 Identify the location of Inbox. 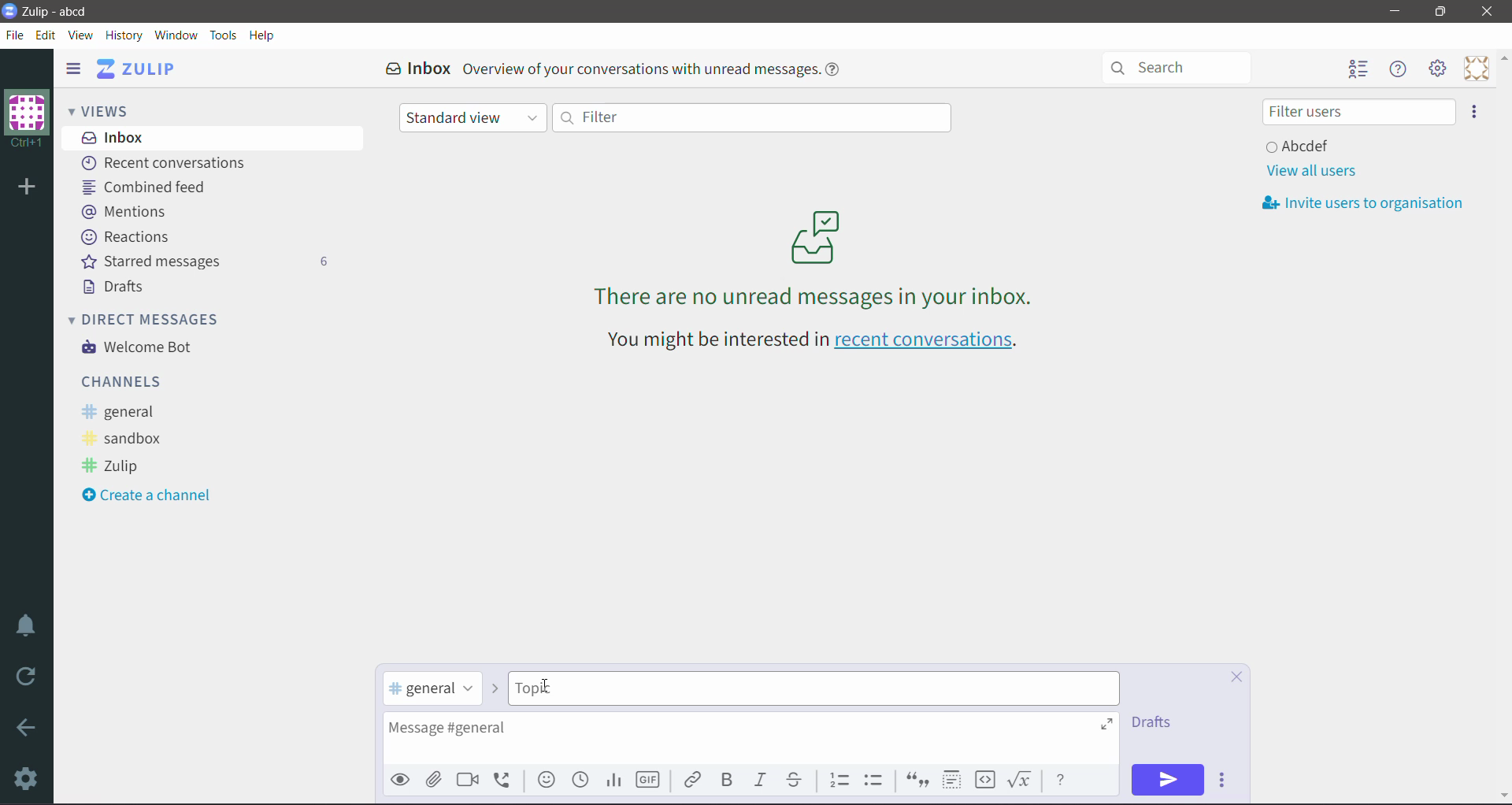
(213, 137).